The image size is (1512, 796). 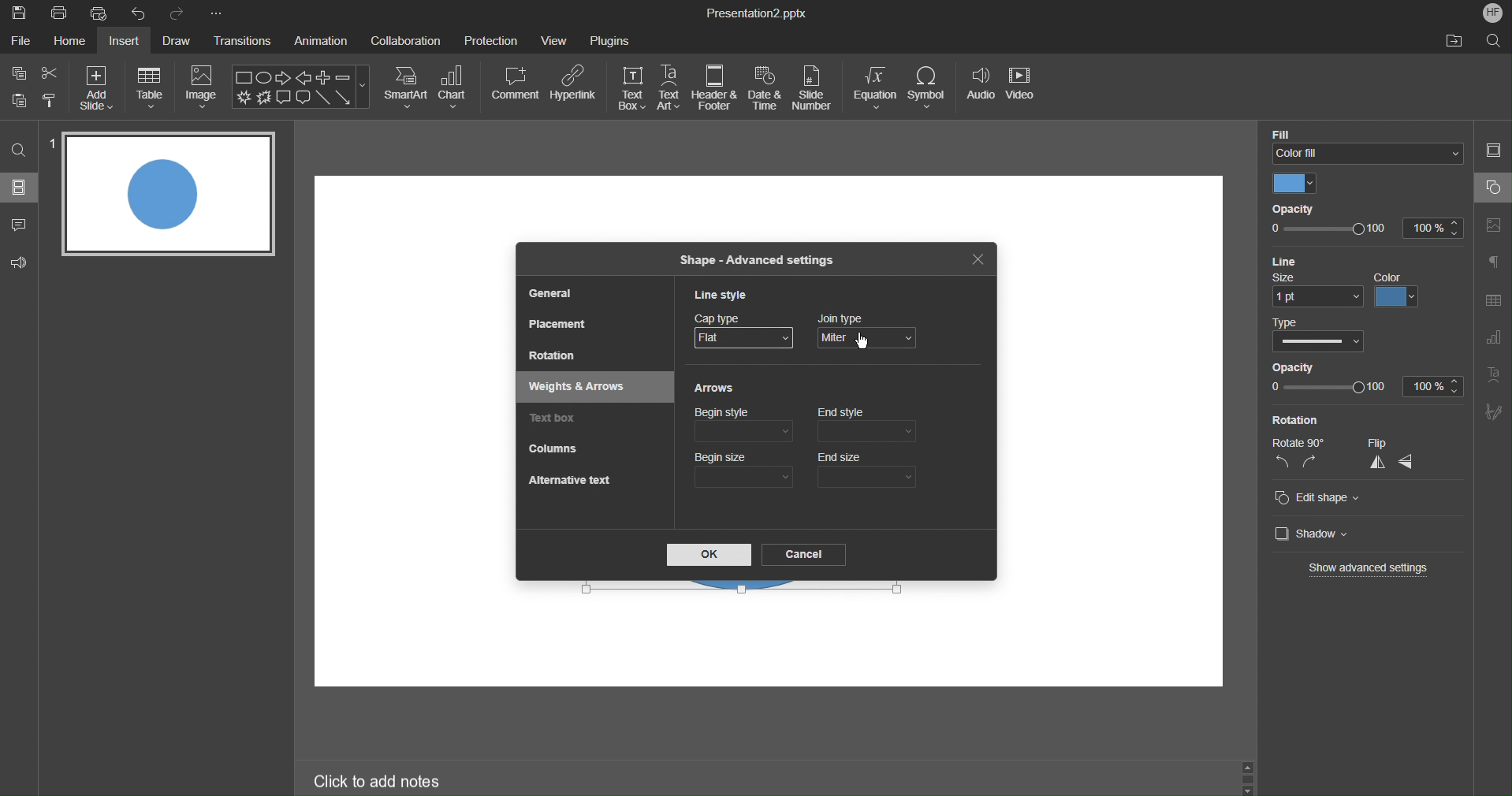 I want to click on Hyperlink, so click(x=573, y=84).